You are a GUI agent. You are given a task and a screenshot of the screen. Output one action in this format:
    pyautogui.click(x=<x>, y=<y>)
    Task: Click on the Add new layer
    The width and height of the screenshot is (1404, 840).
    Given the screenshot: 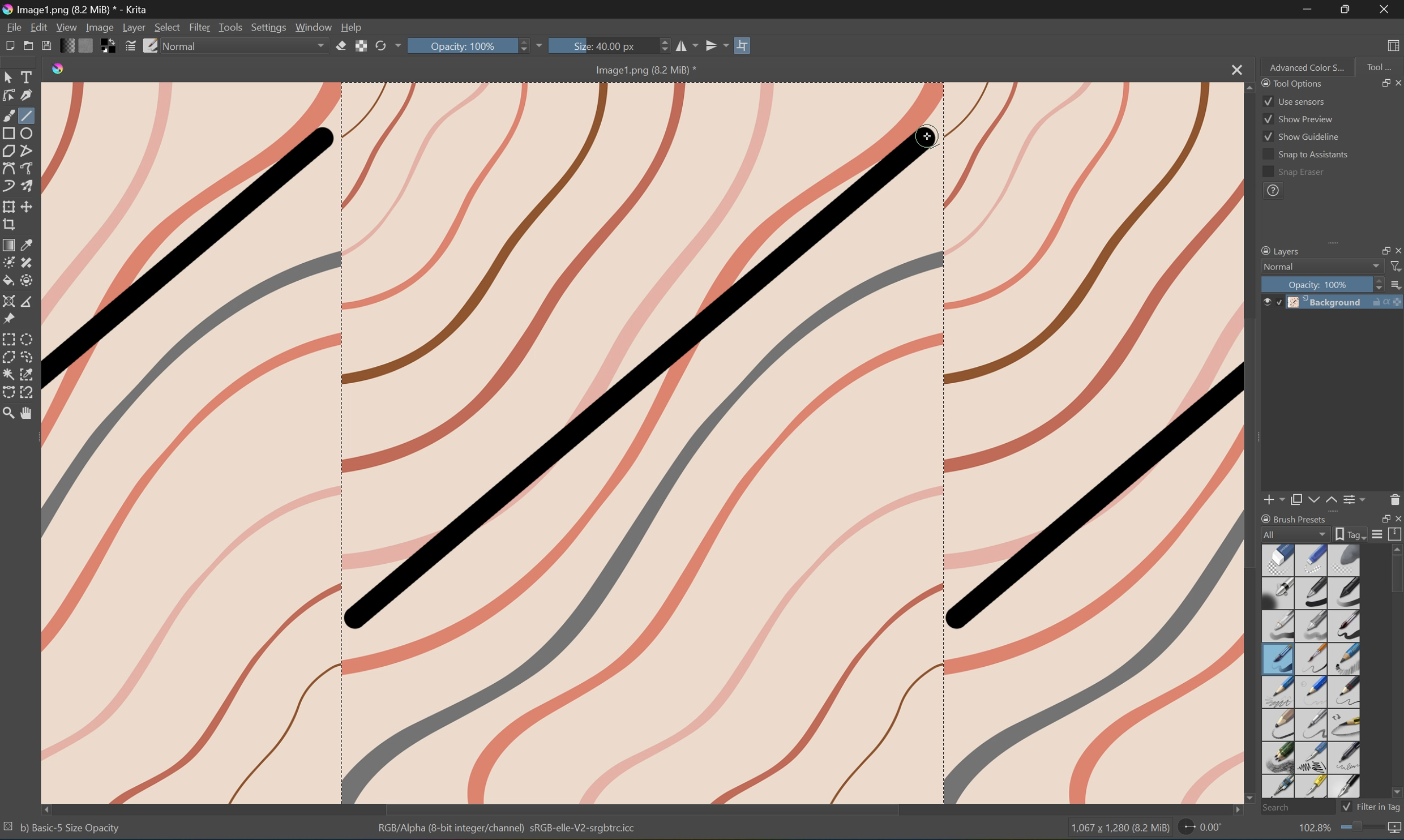 What is the action you would take?
    pyautogui.click(x=1275, y=499)
    